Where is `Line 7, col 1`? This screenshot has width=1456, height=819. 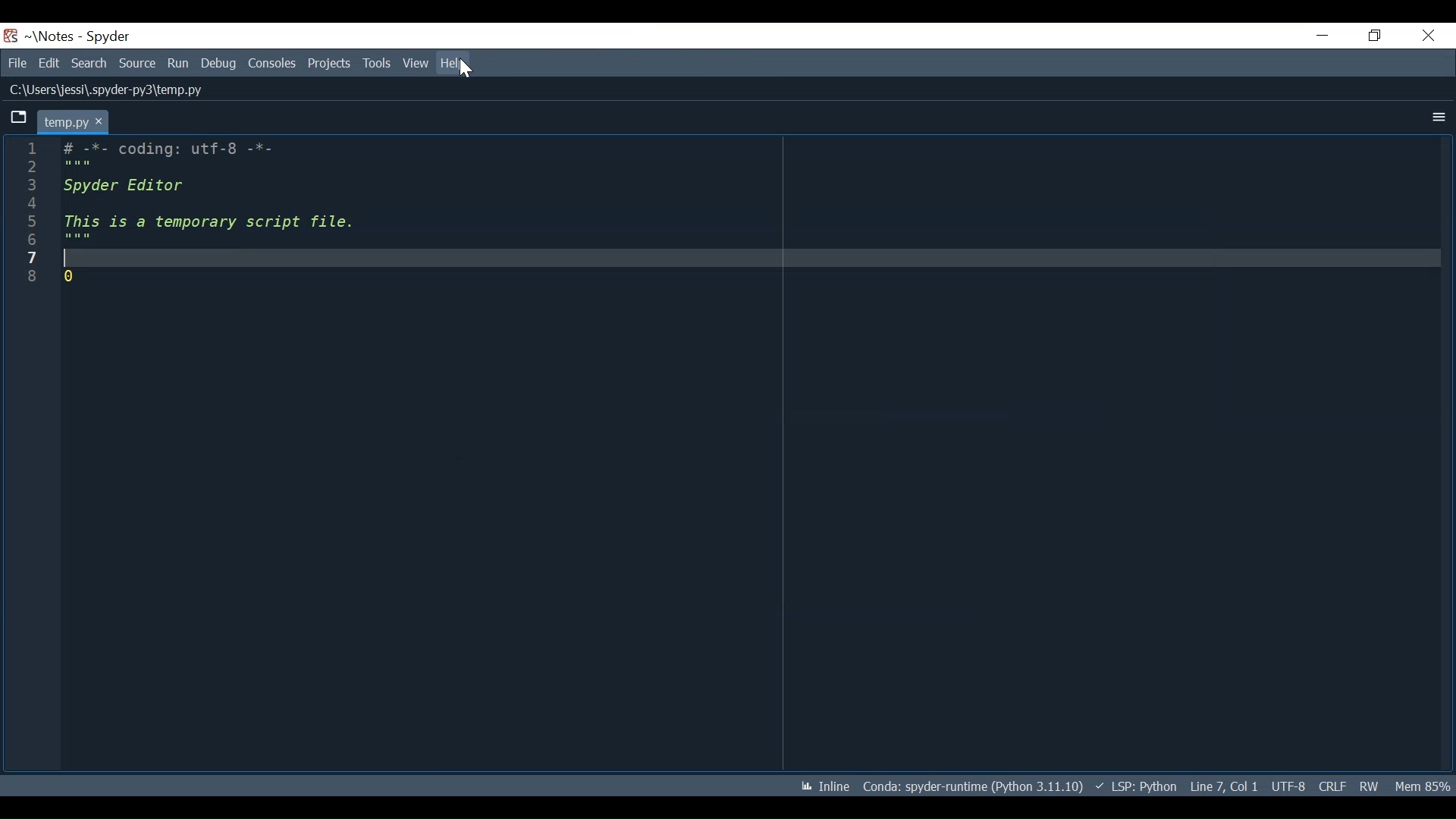
Line 7, col 1 is located at coordinates (1225, 786).